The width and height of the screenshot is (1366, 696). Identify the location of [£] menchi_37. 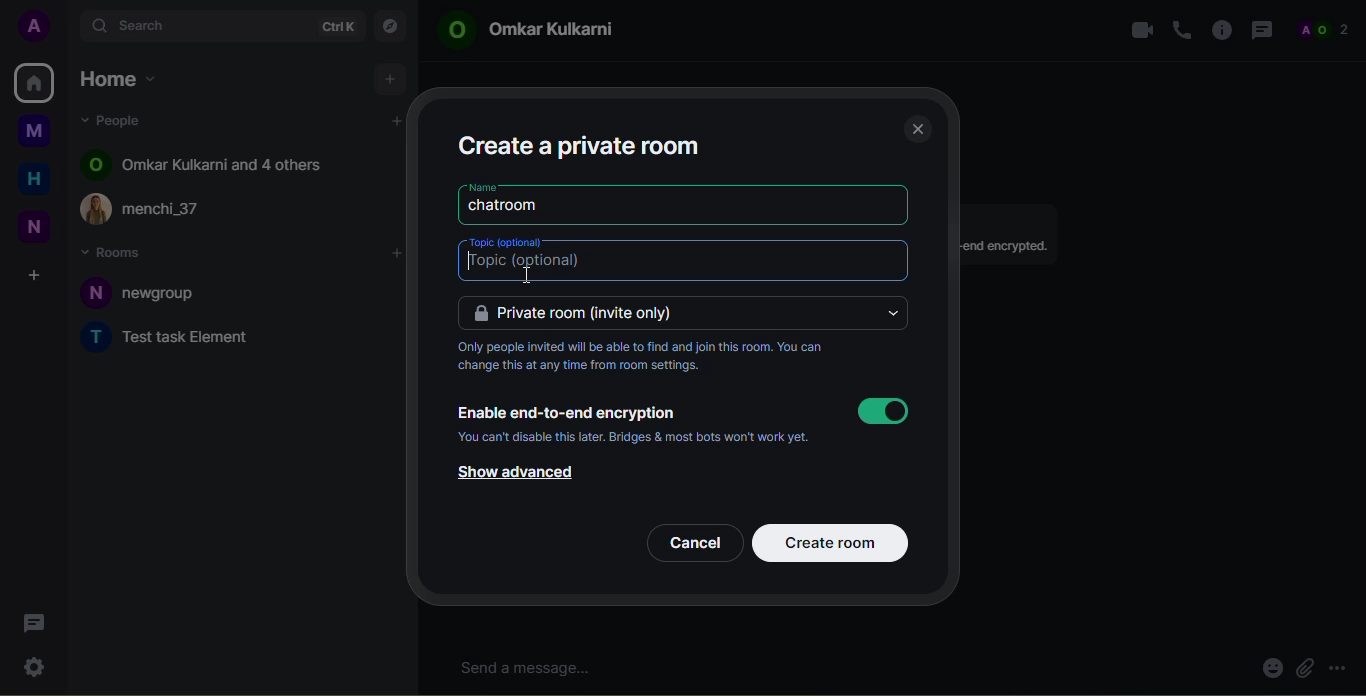
(158, 209).